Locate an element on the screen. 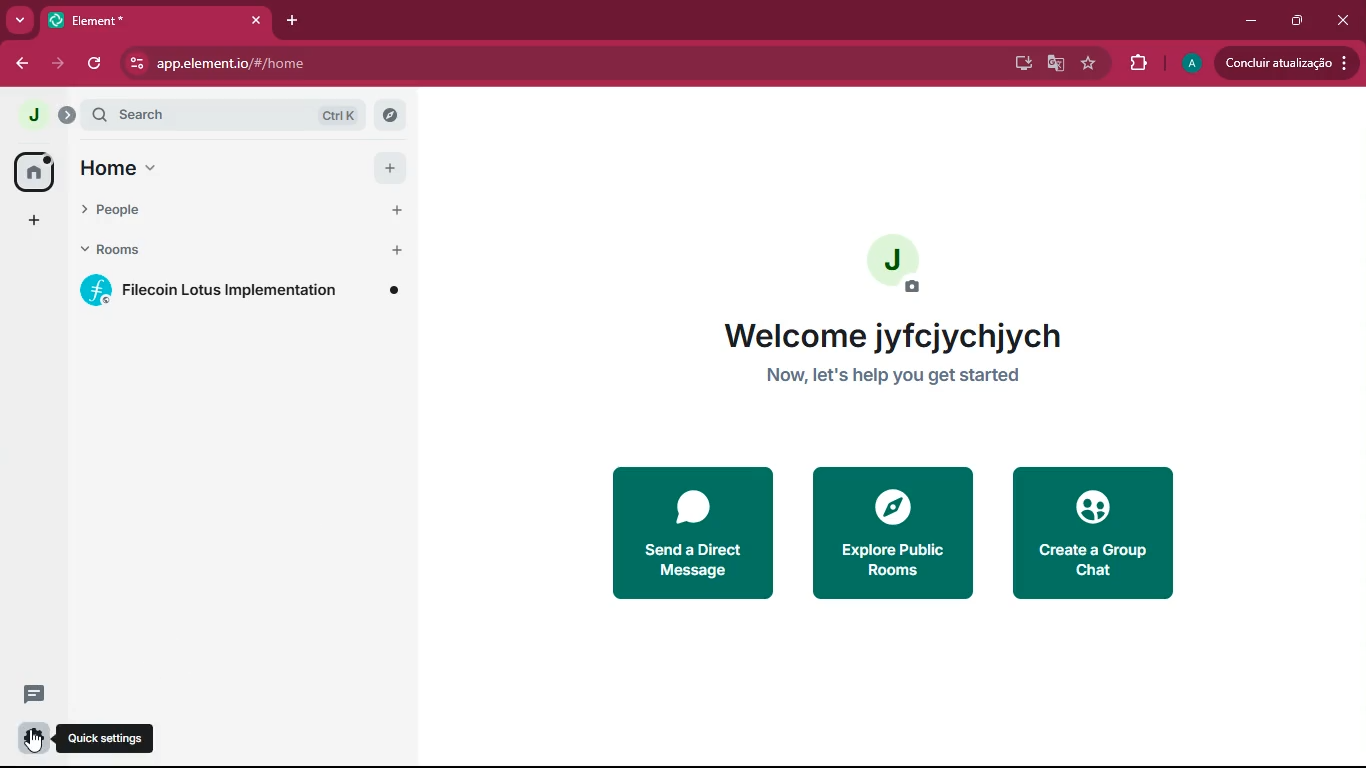 The height and width of the screenshot is (768, 1366). element is located at coordinates (159, 20).